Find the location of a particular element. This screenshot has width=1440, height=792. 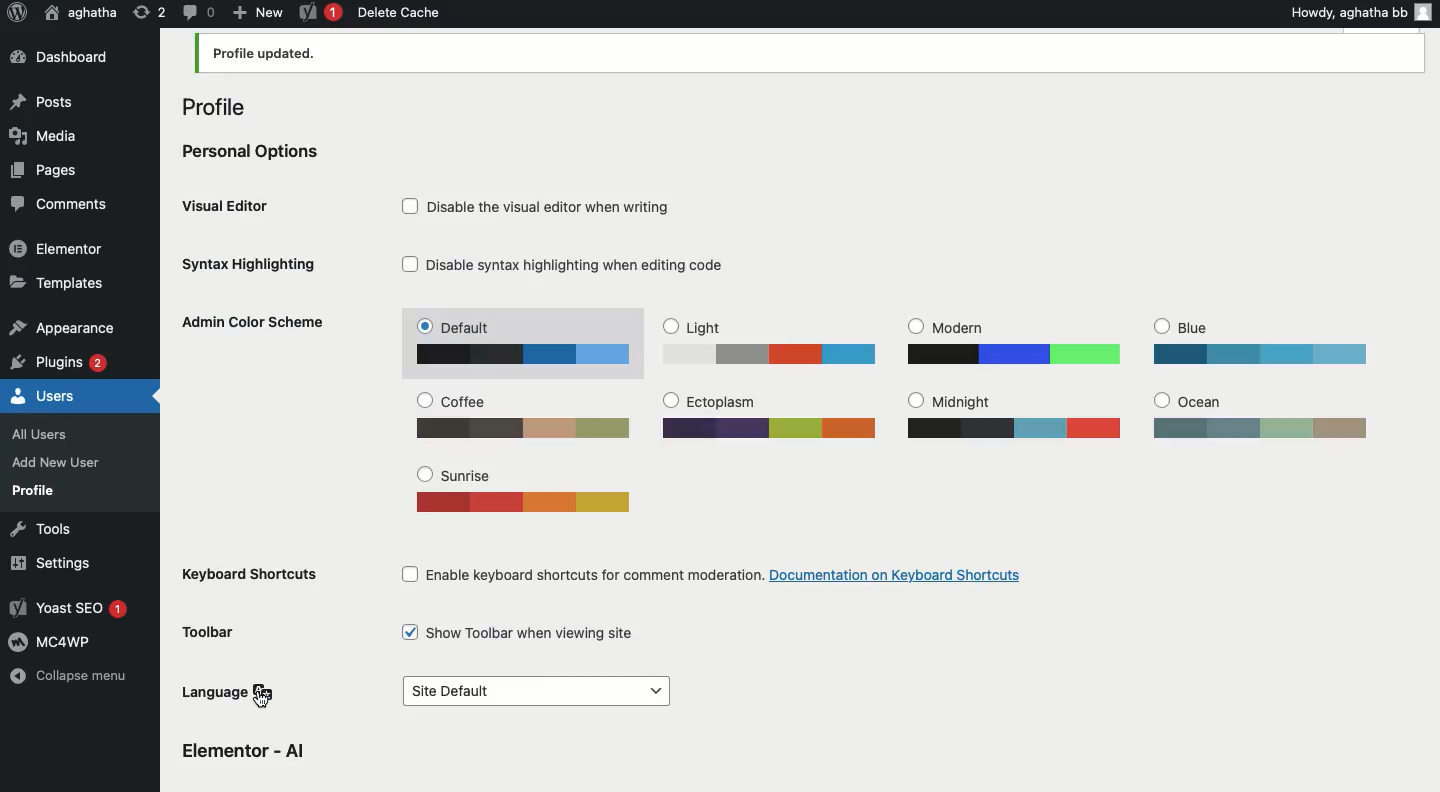

Delete cache is located at coordinates (398, 12).